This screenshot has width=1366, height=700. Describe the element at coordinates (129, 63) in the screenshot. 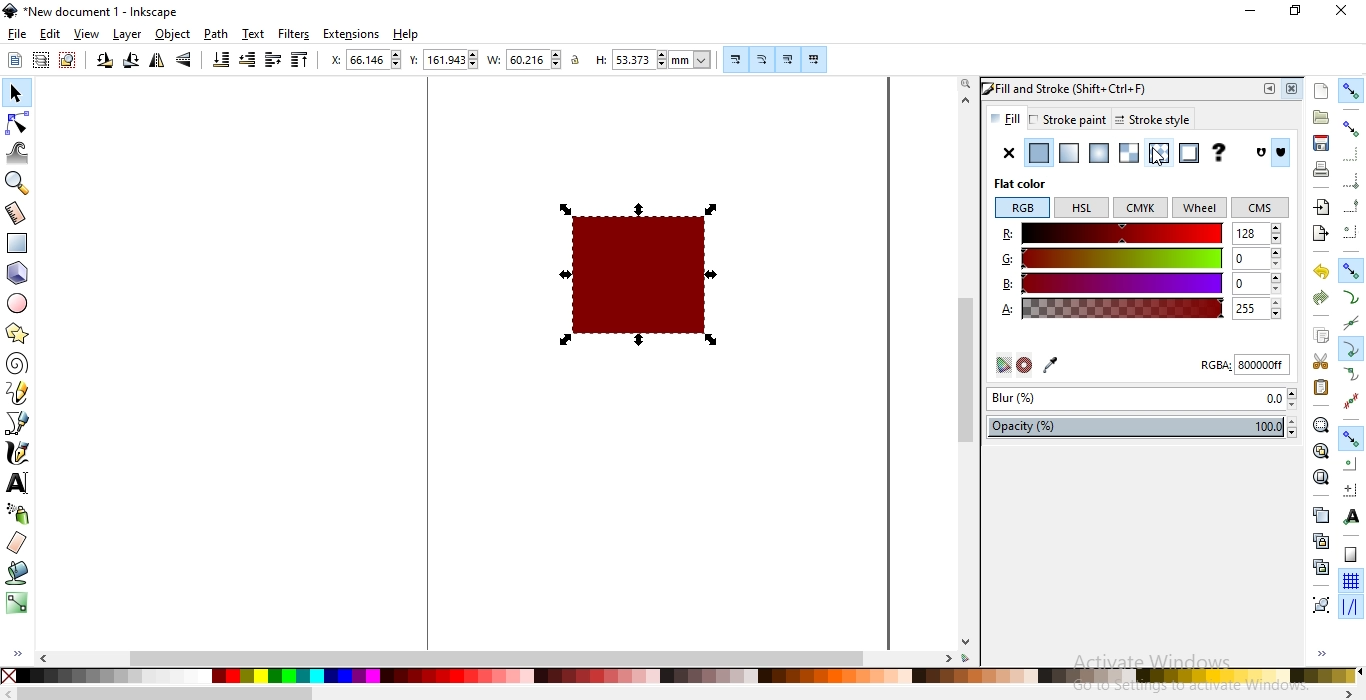

I see `rotate 90 clockwiise` at that location.